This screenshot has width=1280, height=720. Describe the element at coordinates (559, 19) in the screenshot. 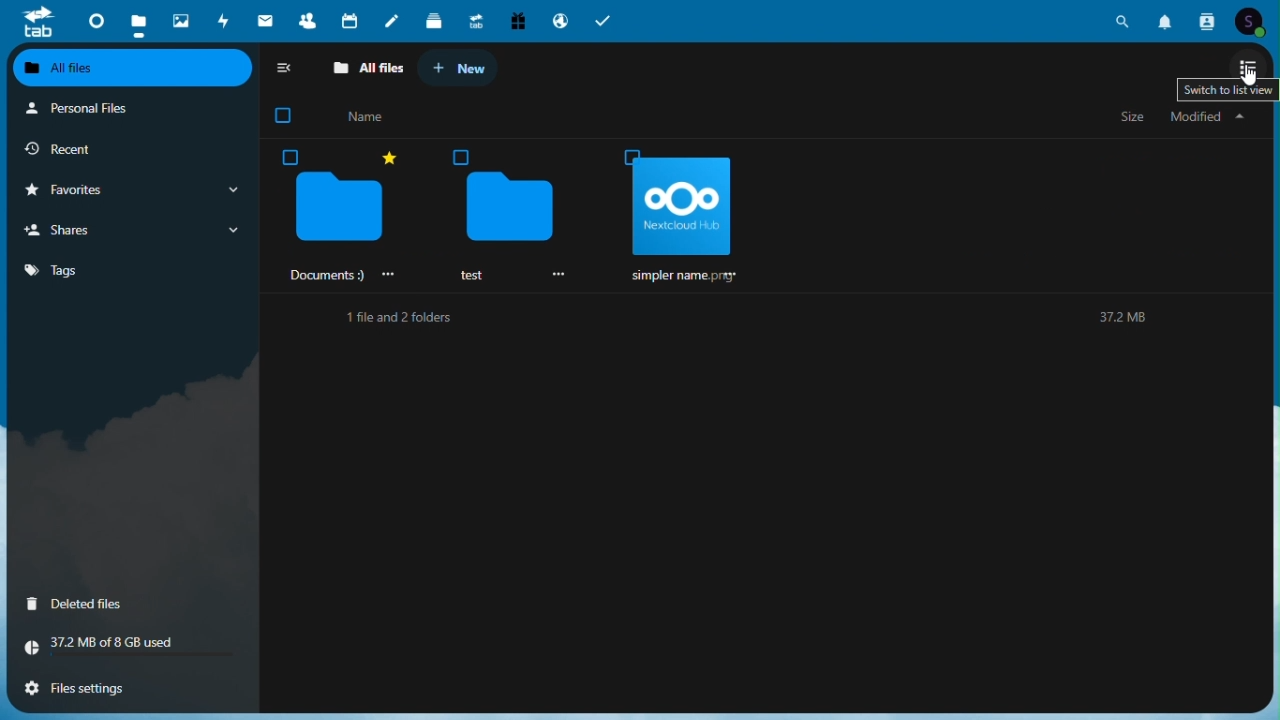

I see `email hosting` at that location.